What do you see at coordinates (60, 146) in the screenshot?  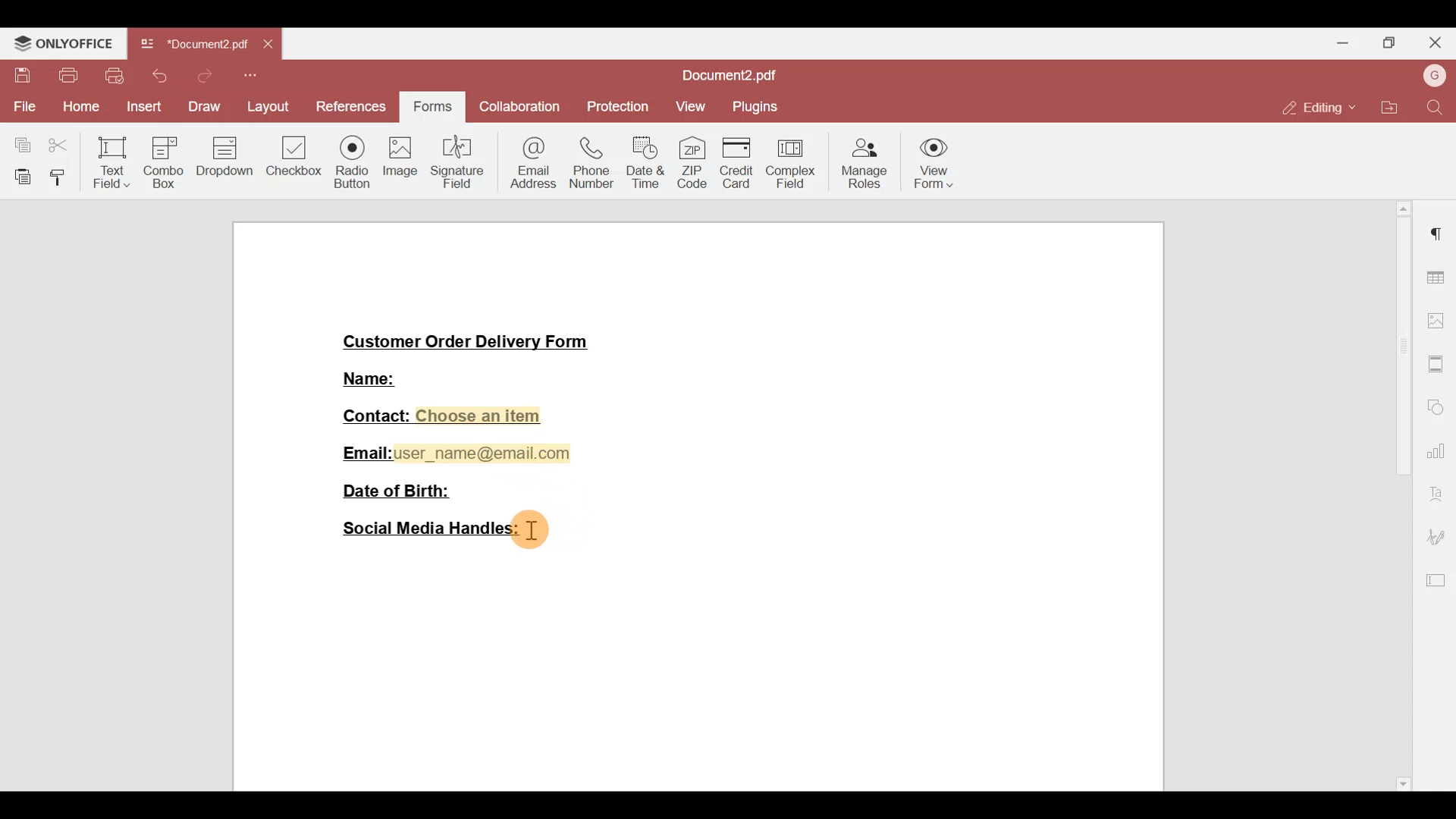 I see `Cut` at bounding box center [60, 146].